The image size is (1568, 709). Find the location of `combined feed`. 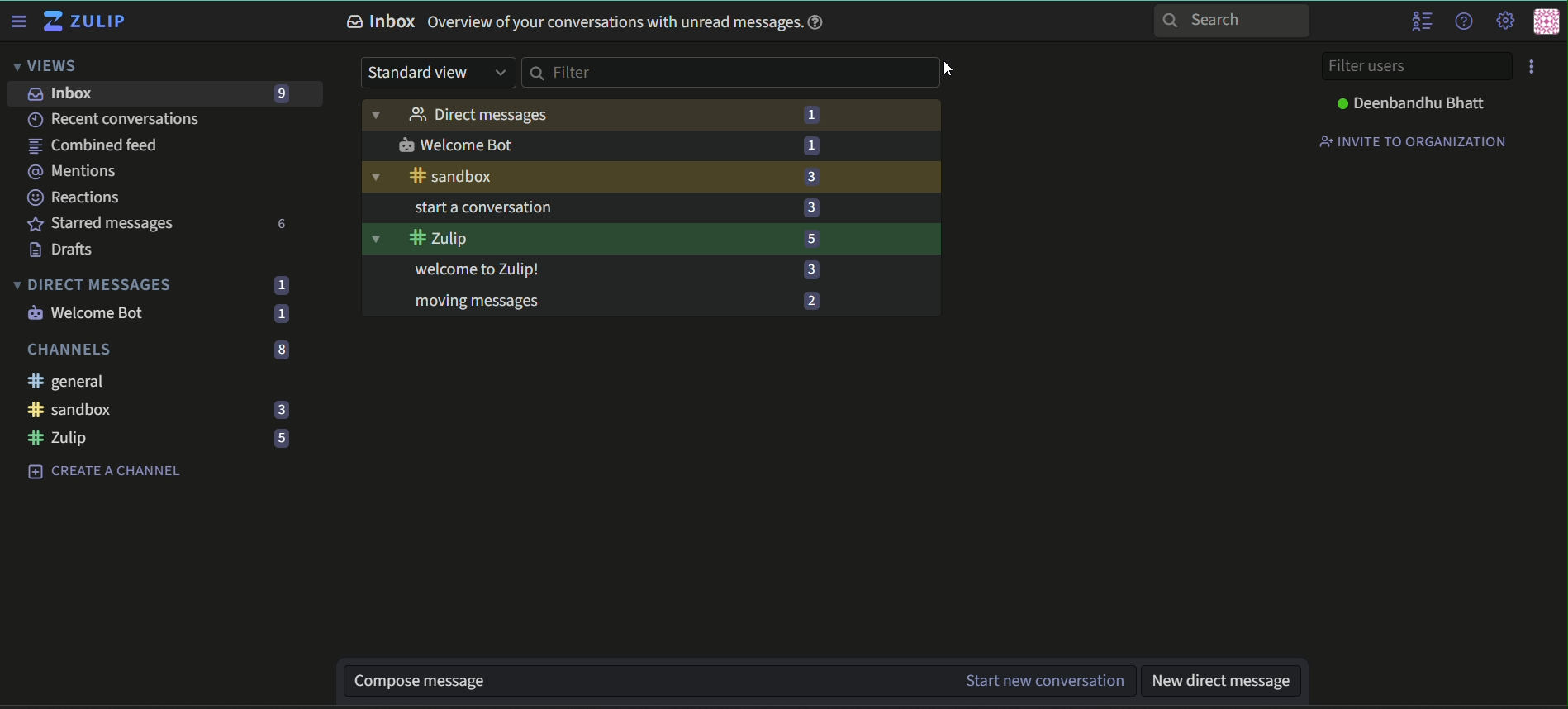

combined feed is located at coordinates (93, 145).